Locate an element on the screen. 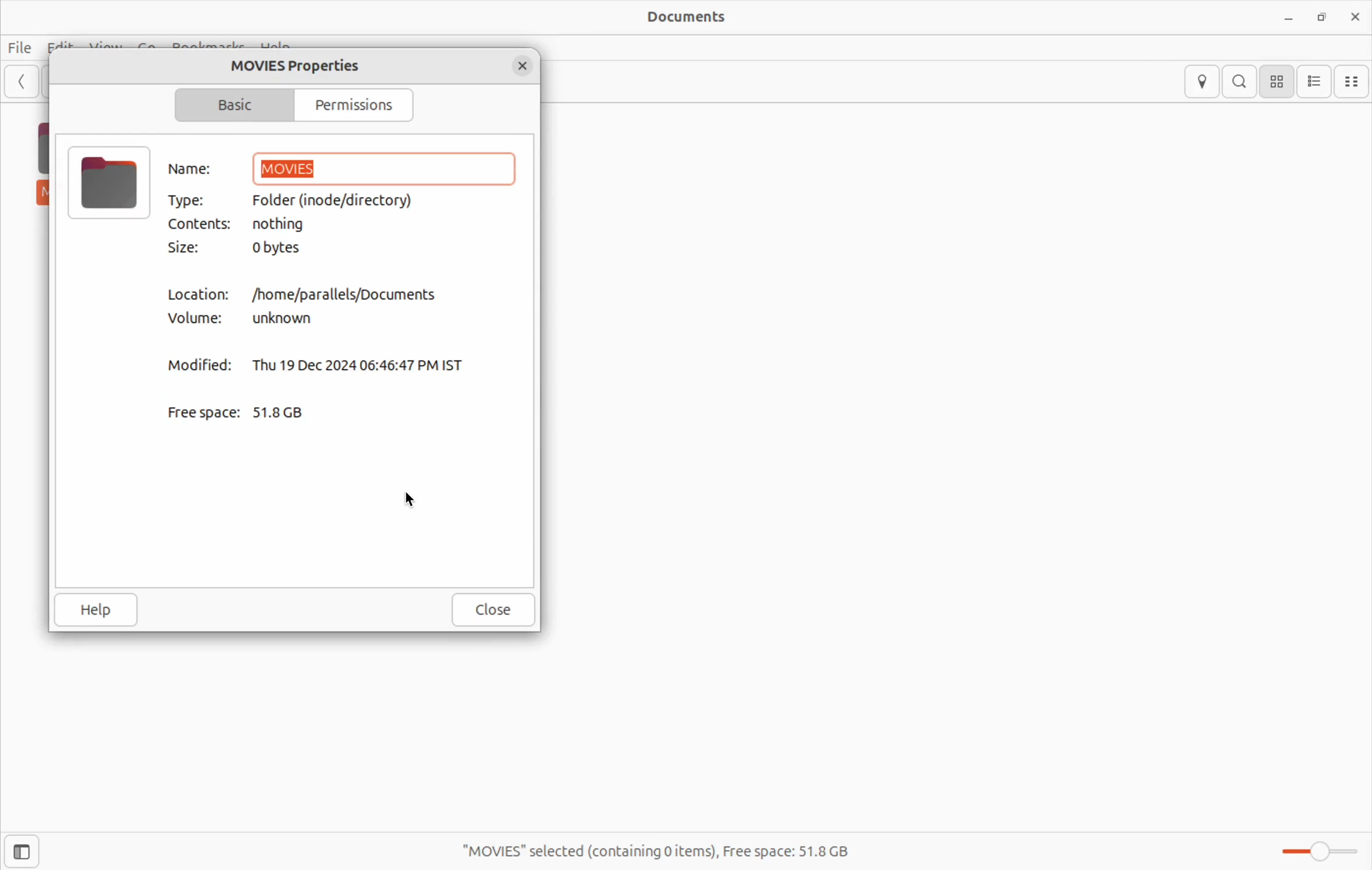 The width and height of the screenshot is (1372, 870). Folder (inode/directory) is located at coordinates (349, 200).